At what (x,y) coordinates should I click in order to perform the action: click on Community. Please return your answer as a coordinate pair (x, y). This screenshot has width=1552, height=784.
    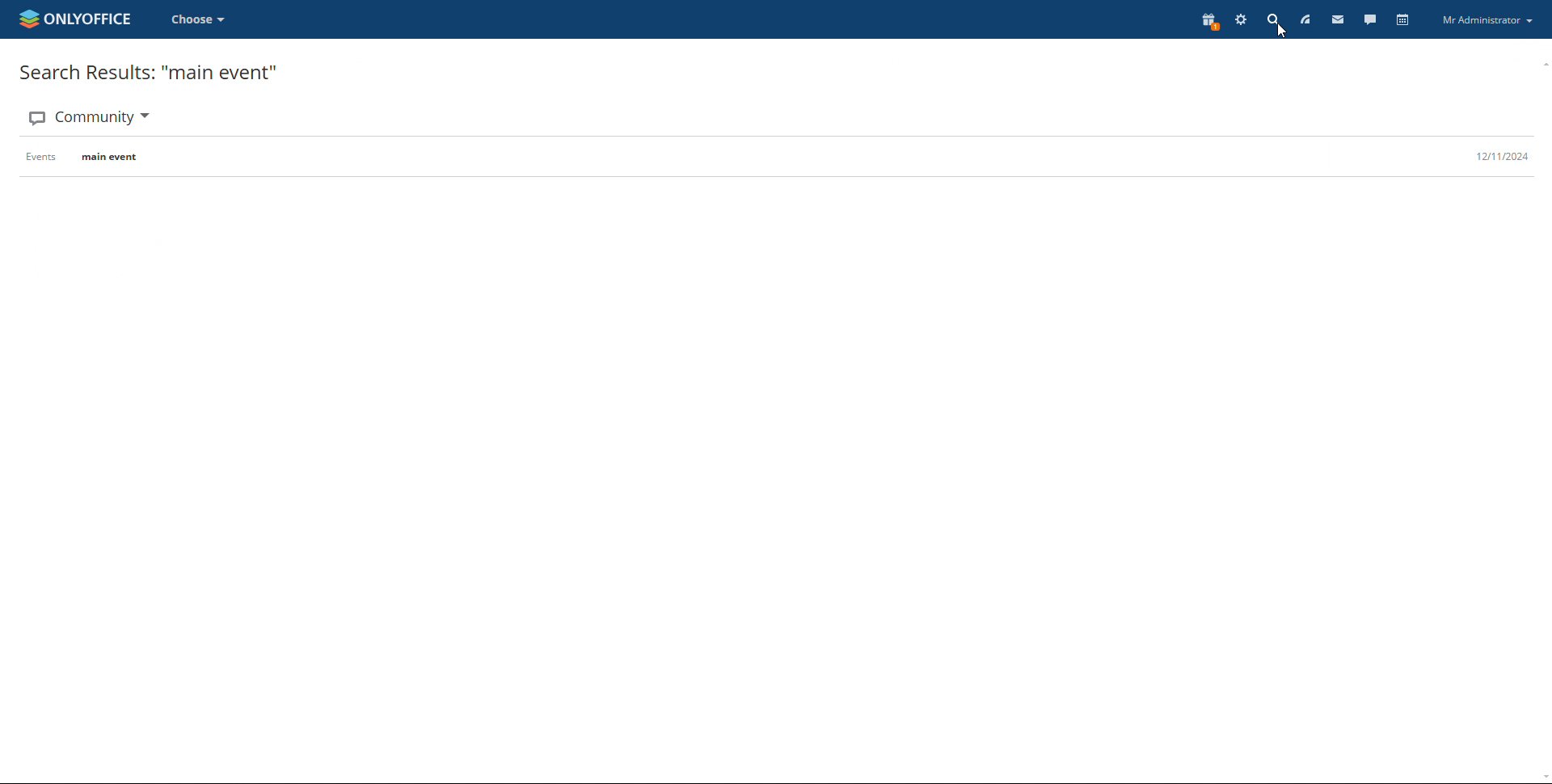
    Looking at the image, I should click on (89, 117).